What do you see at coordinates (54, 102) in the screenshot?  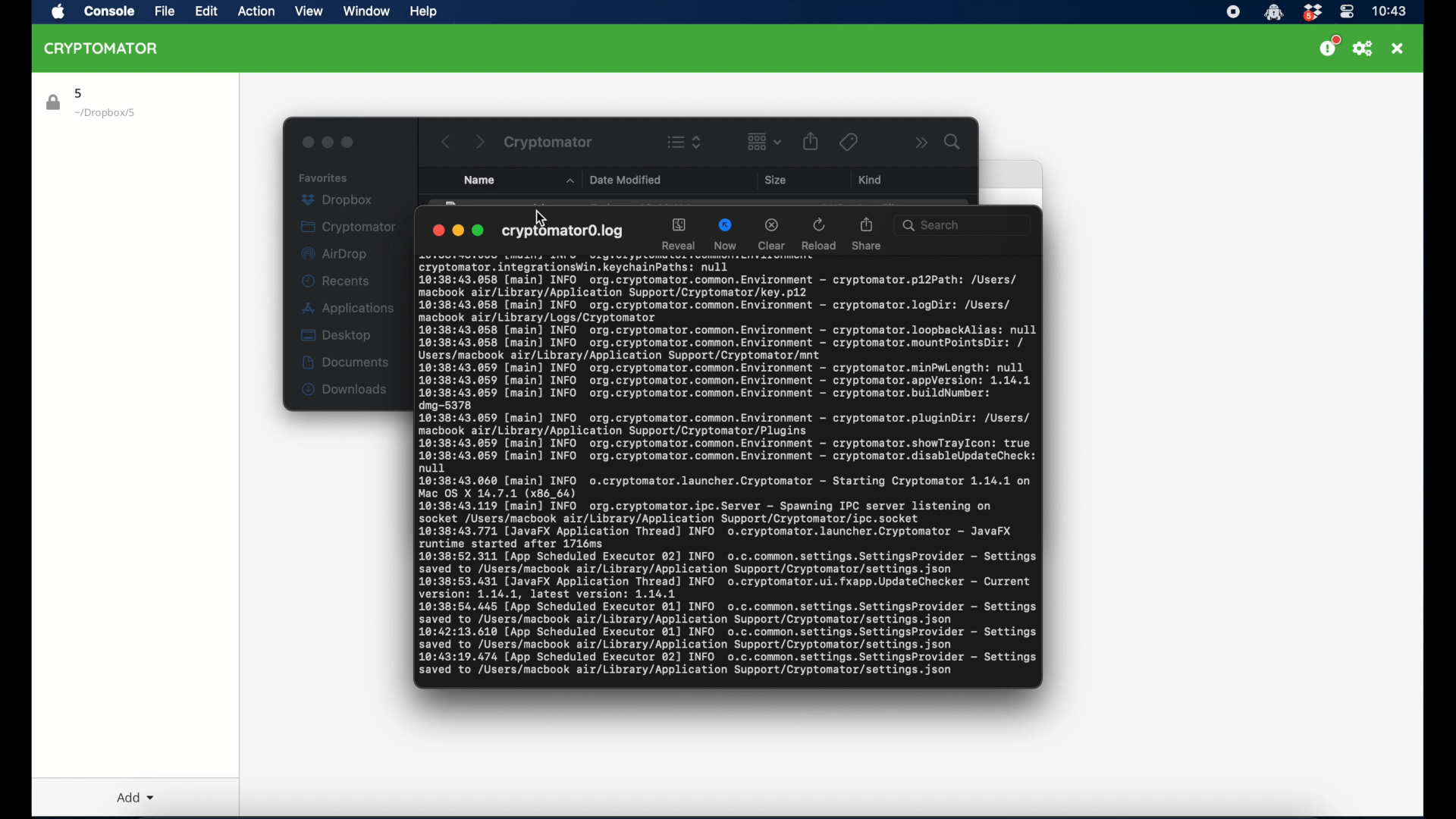 I see `lock icon` at bounding box center [54, 102].